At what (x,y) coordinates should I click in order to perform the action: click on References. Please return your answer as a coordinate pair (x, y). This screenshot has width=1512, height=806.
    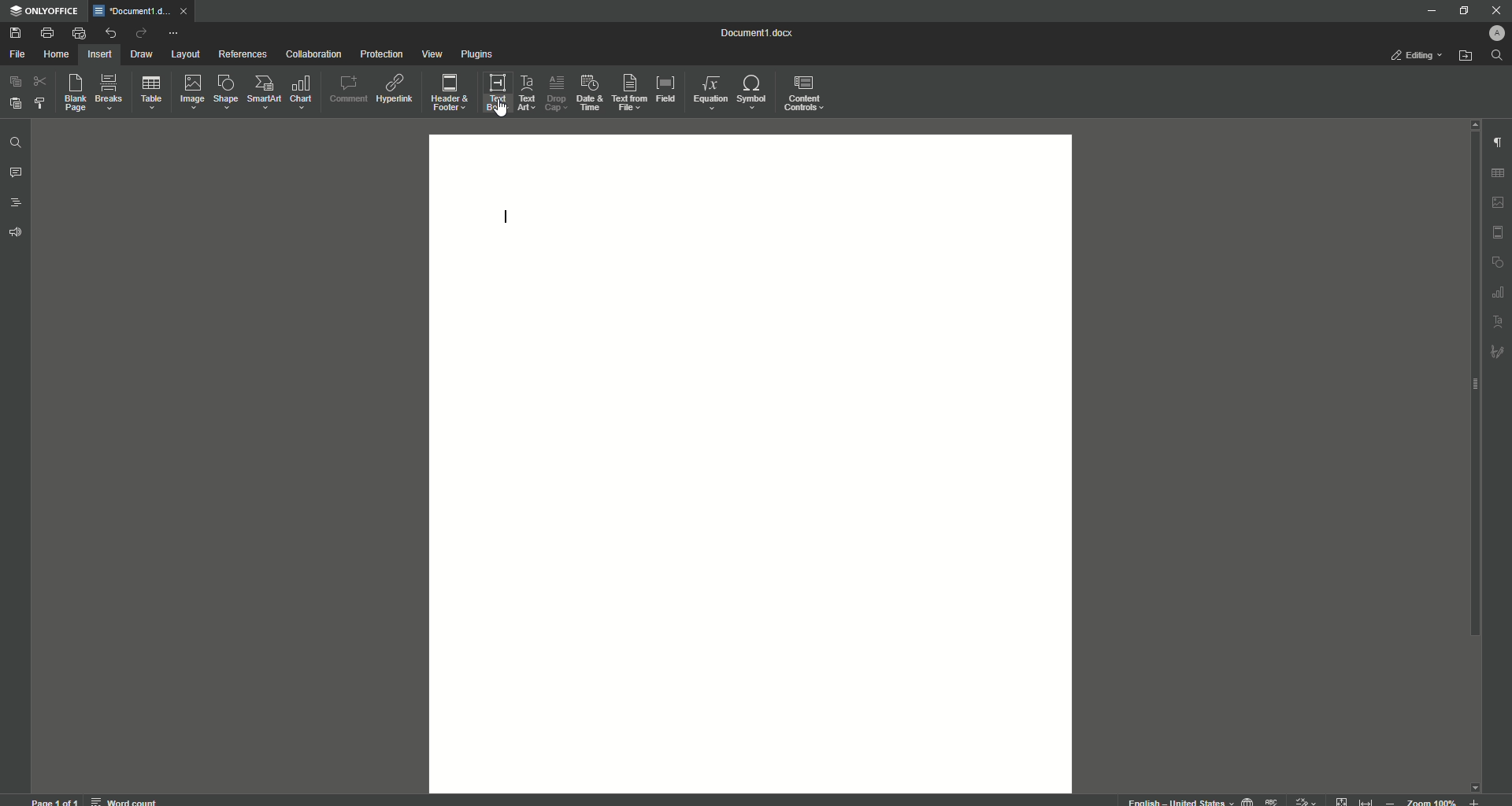
    Looking at the image, I should click on (243, 54).